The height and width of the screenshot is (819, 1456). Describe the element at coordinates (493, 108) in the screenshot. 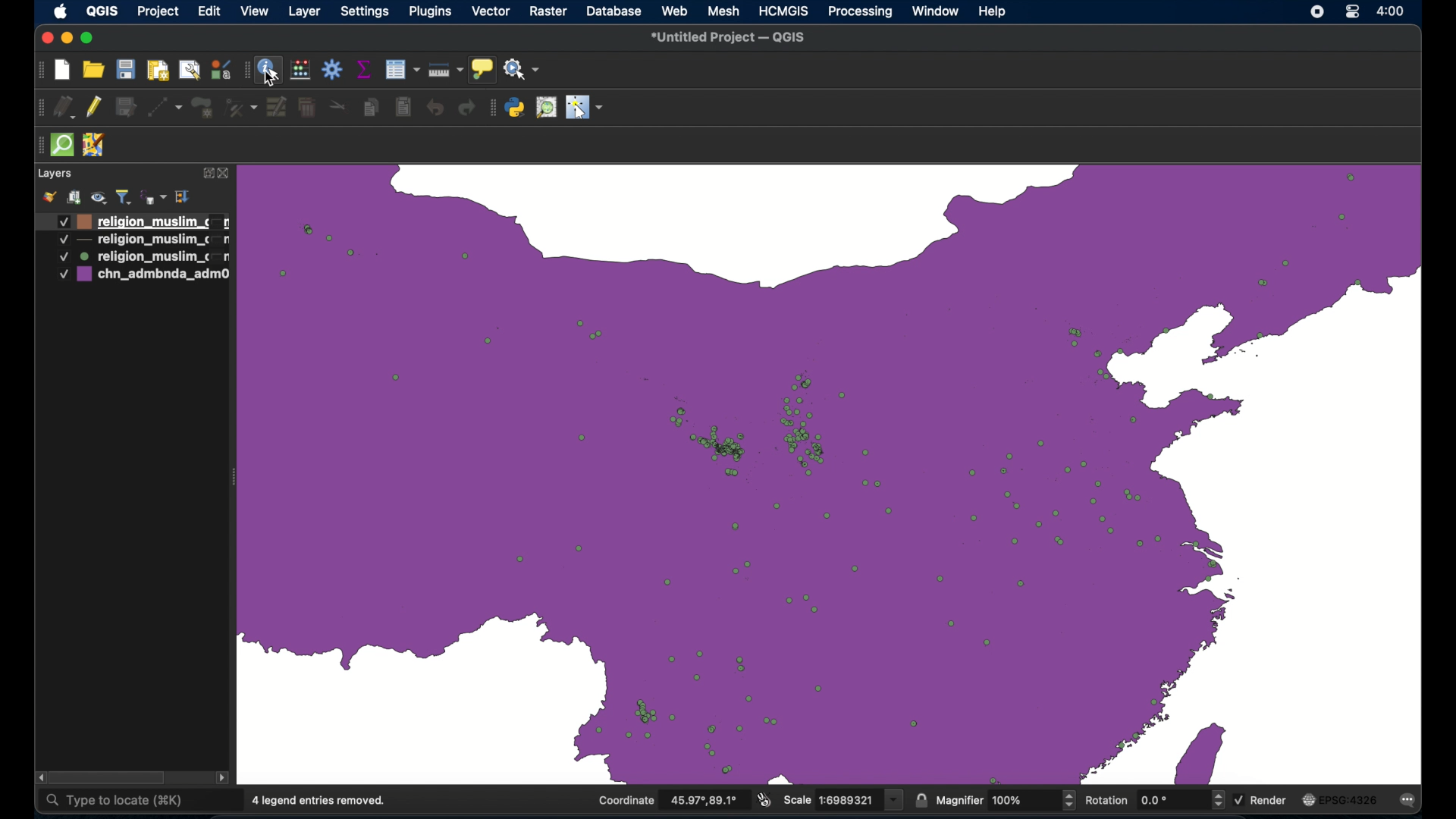

I see `plugins toolbar` at that location.